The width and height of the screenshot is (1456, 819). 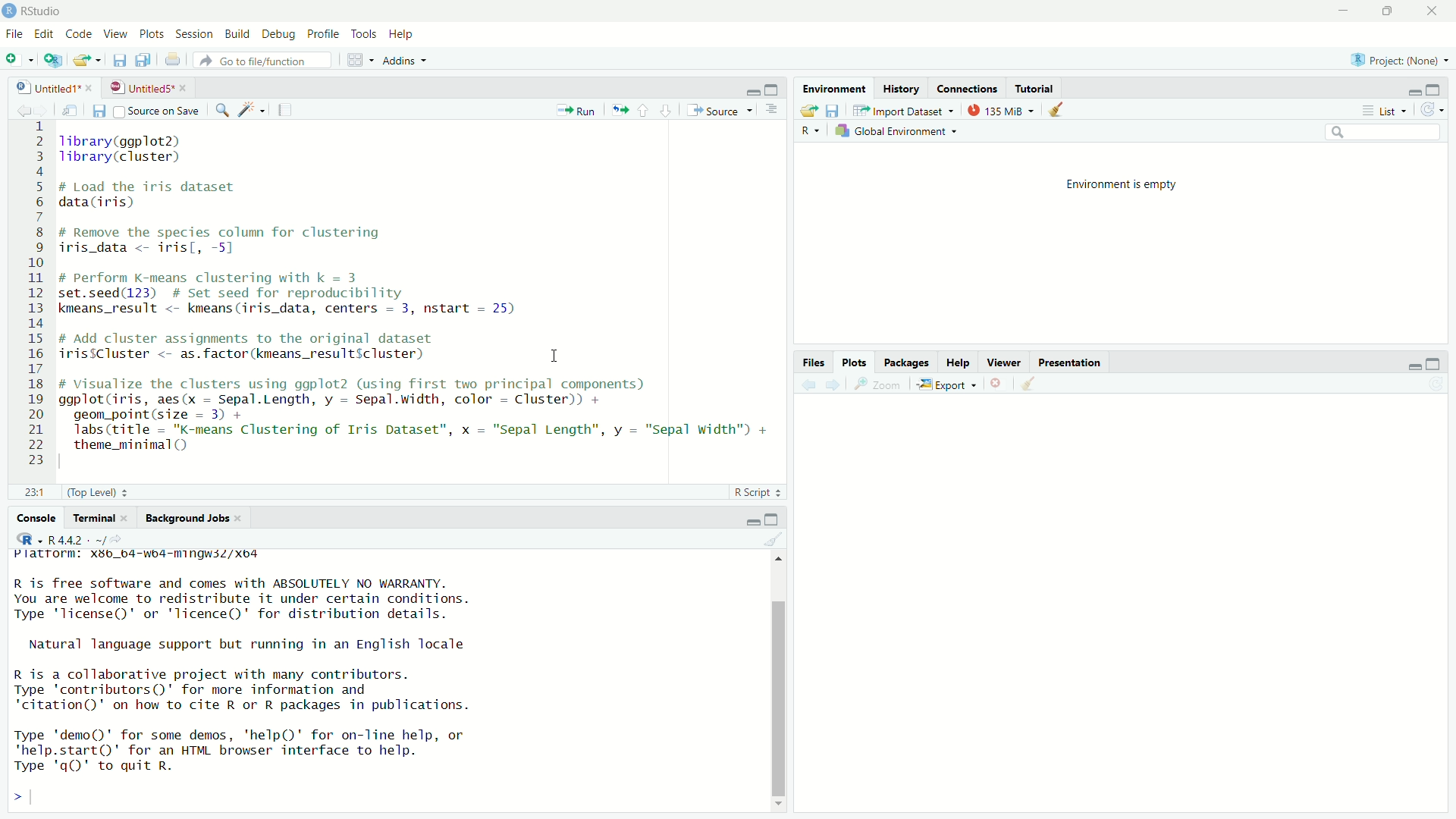 What do you see at coordinates (33, 296) in the screenshot?
I see `serial number` at bounding box center [33, 296].